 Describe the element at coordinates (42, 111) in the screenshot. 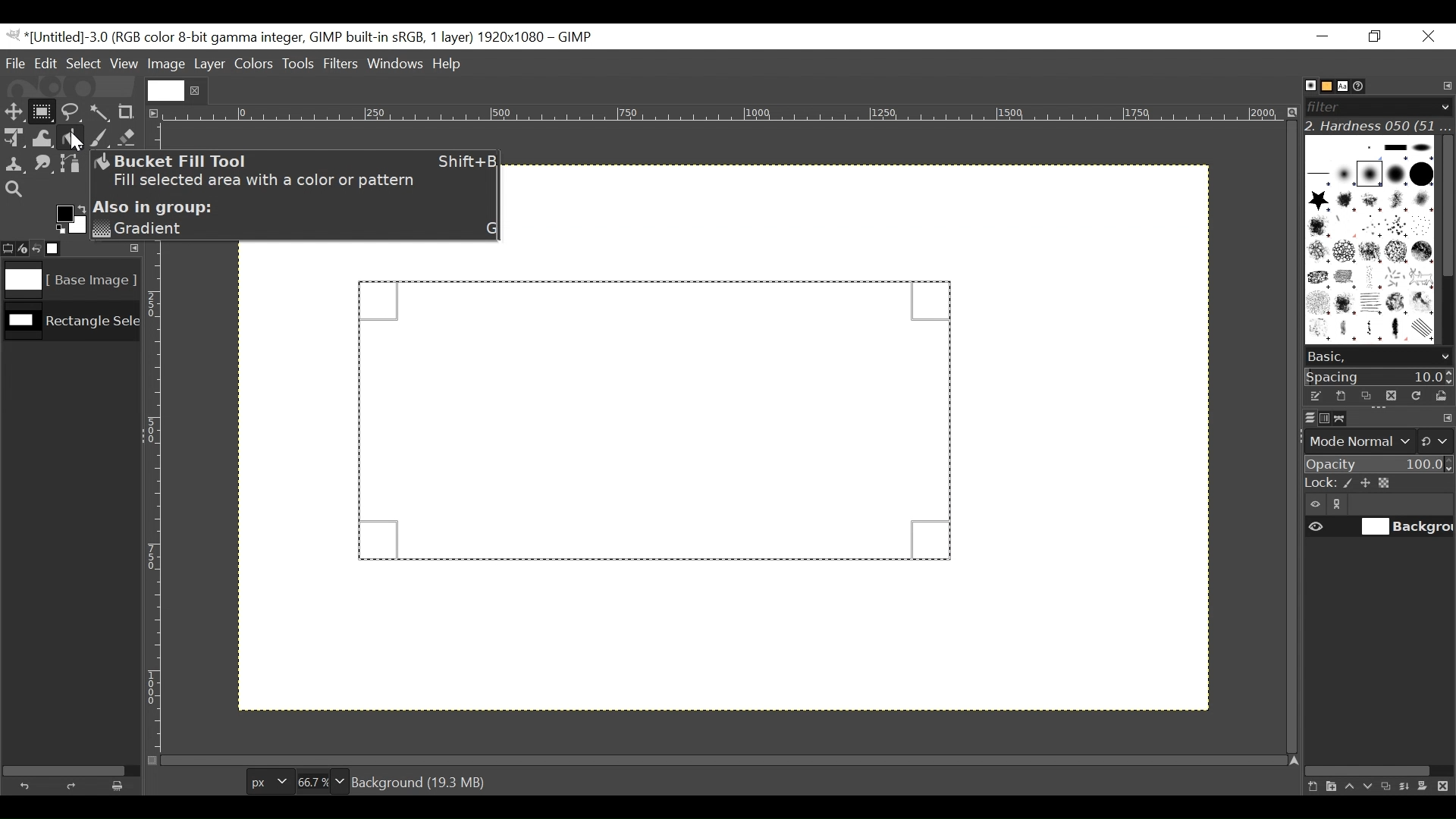

I see `Rectangle Select Tool` at that location.